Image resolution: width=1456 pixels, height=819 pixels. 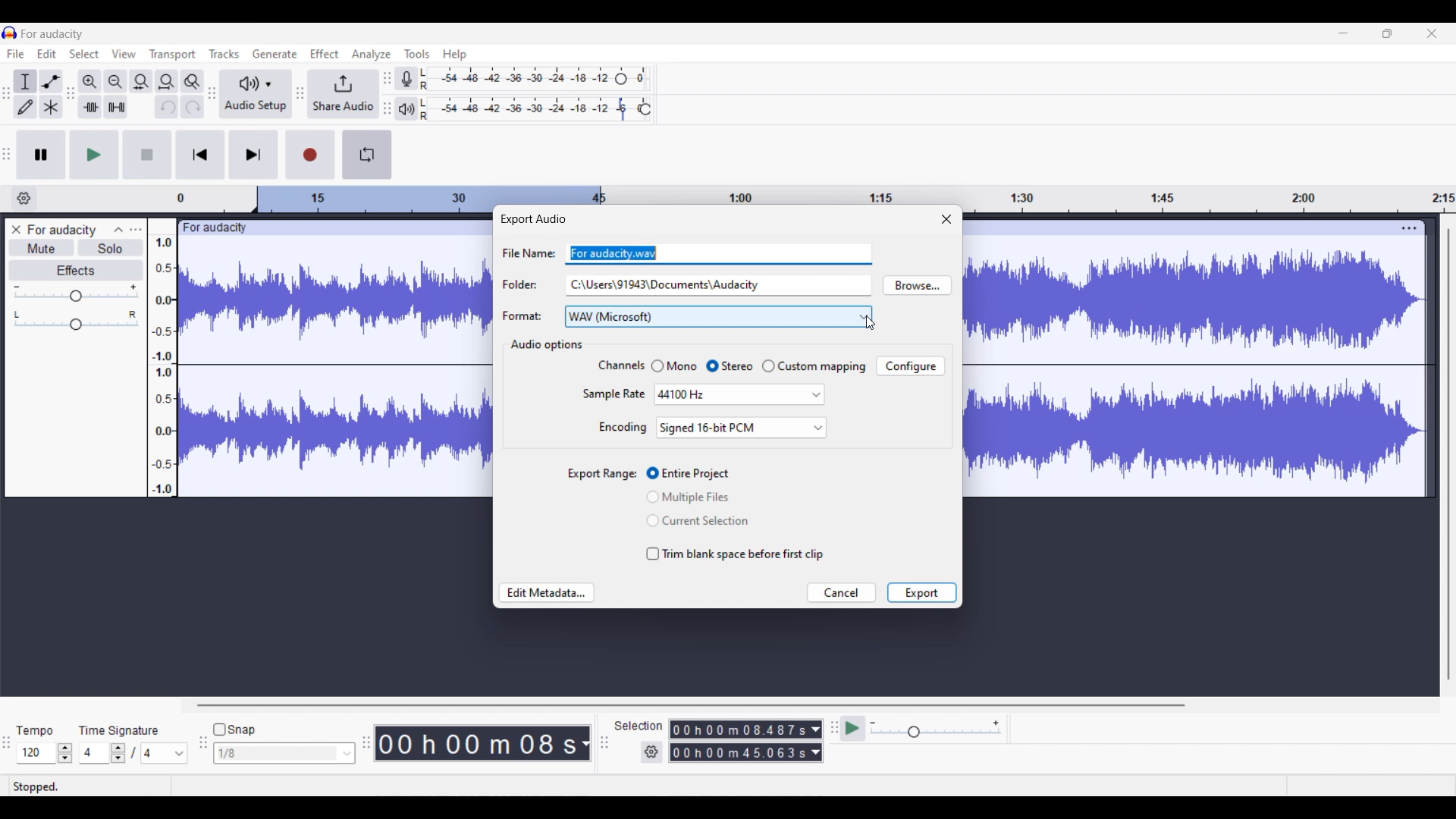 What do you see at coordinates (719, 253) in the screenshot?
I see `Text box for File Name` at bounding box center [719, 253].